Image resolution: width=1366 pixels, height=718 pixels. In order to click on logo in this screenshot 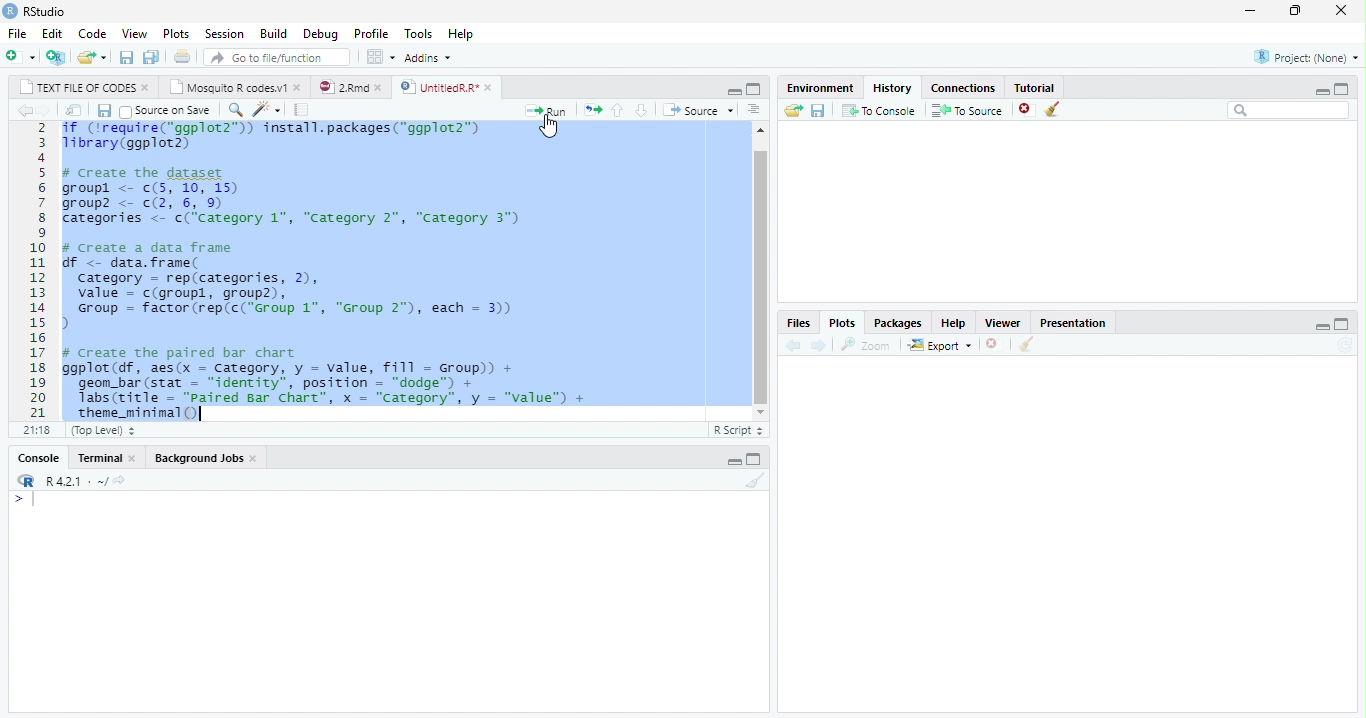, I will do `click(26, 480)`.